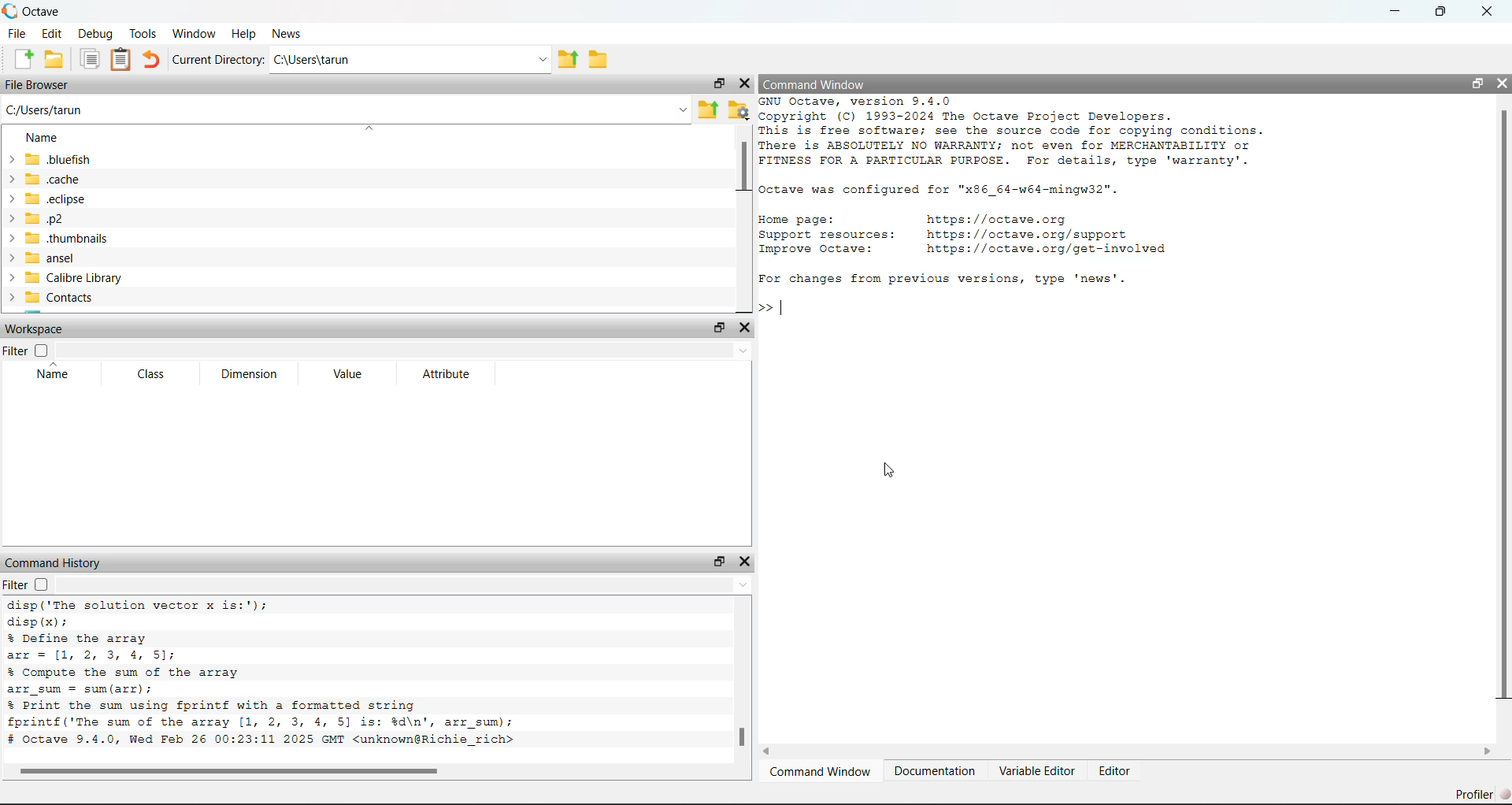 The image size is (1512, 805). I want to click on New line, so click(765, 307).